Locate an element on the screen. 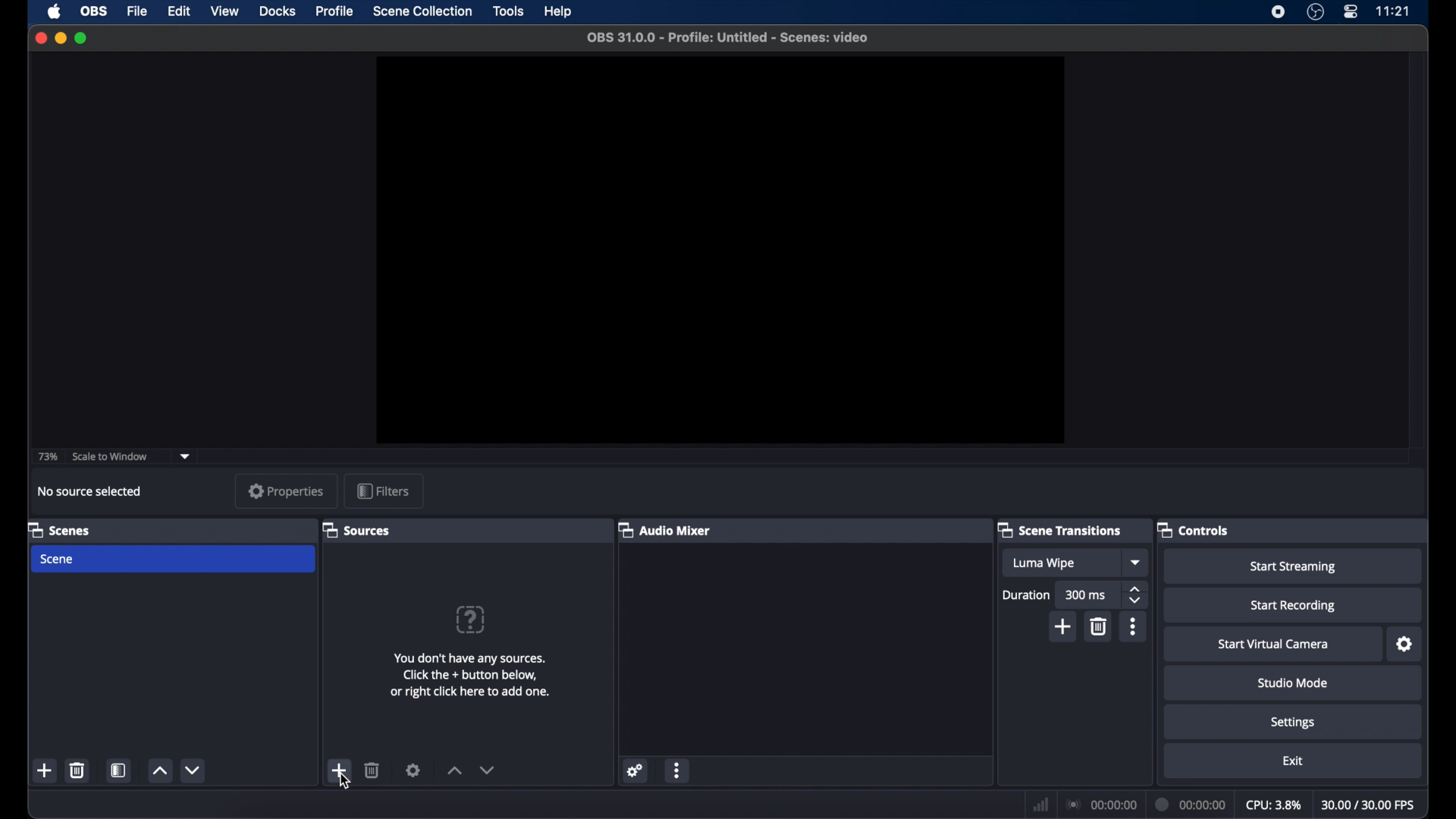 The width and height of the screenshot is (1456, 819). 73% is located at coordinates (47, 457).